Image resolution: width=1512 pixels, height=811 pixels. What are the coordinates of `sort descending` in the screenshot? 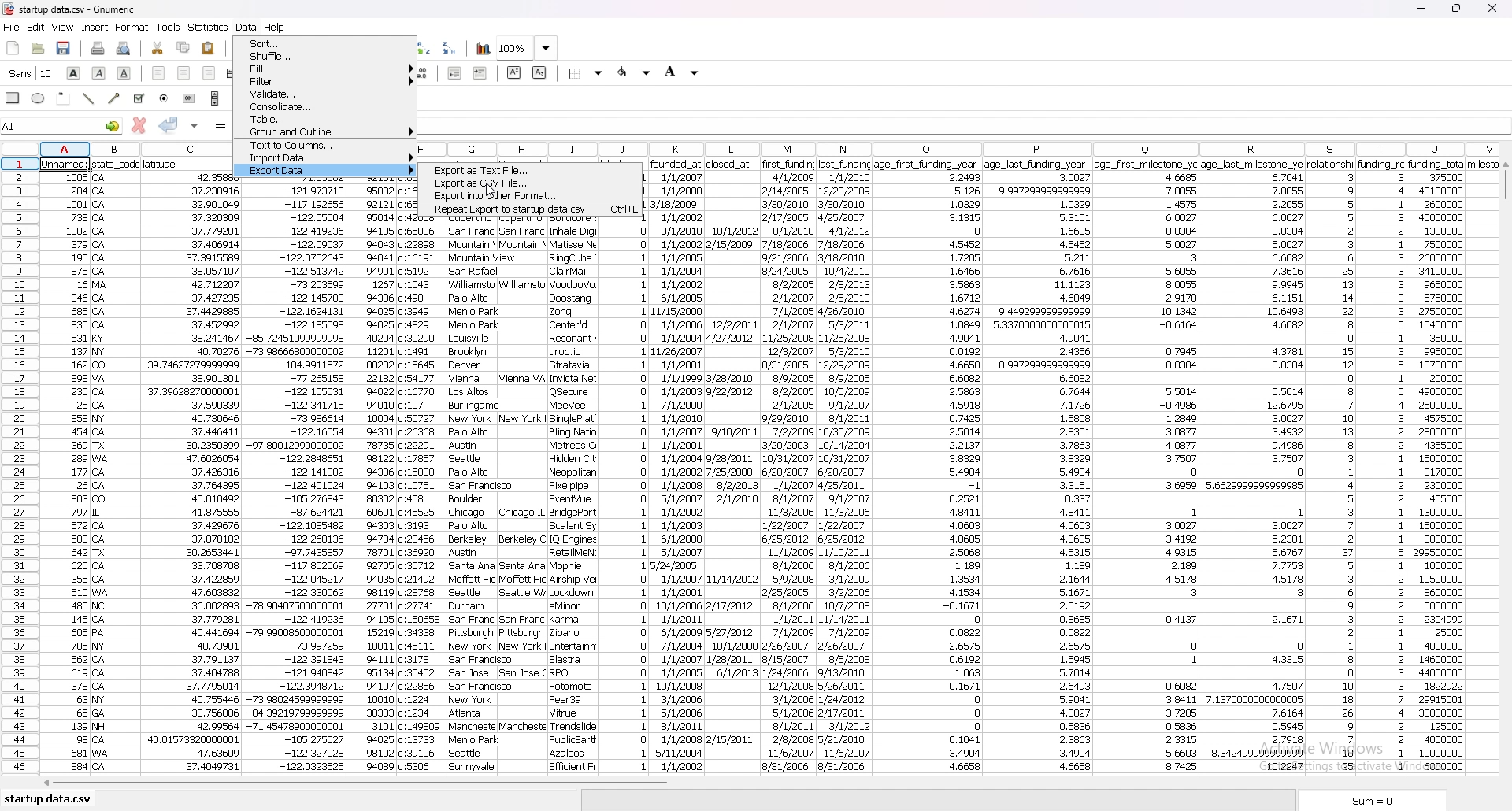 It's located at (450, 47).